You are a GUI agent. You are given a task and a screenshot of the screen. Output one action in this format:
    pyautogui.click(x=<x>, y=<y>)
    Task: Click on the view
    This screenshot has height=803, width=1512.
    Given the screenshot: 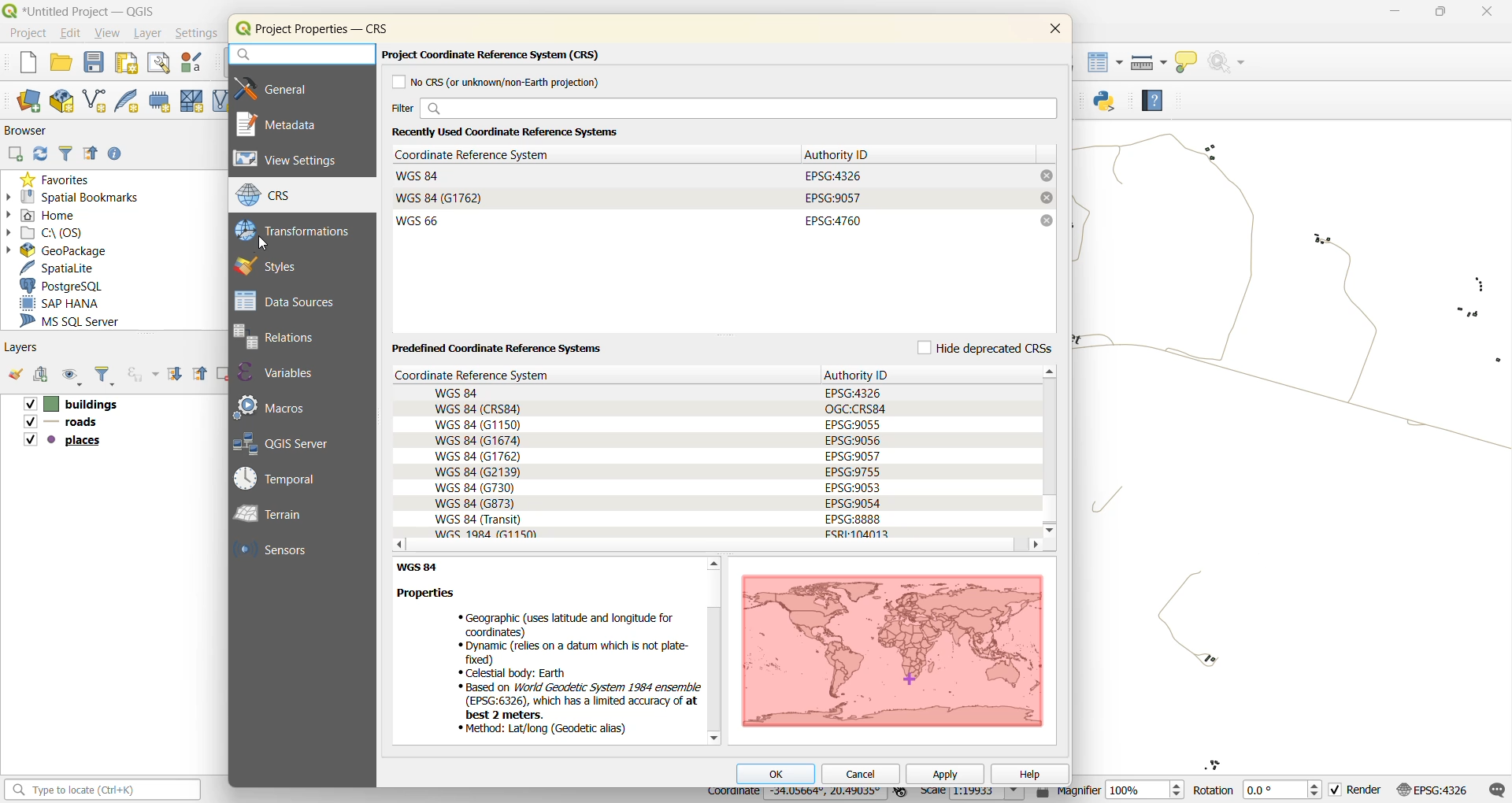 What is the action you would take?
    pyautogui.click(x=109, y=34)
    